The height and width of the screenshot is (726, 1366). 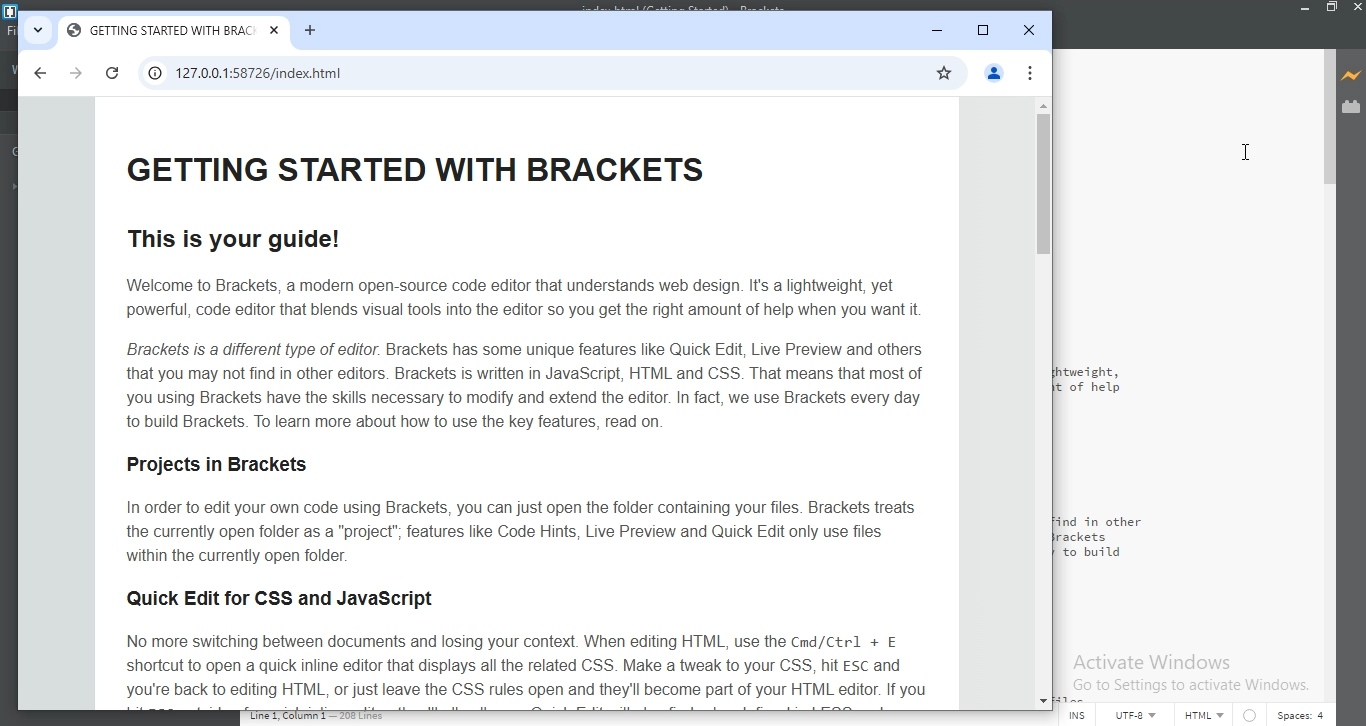 What do you see at coordinates (1024, 26) in the screenshot?
I see `close` at bounding box center [1024, 26].